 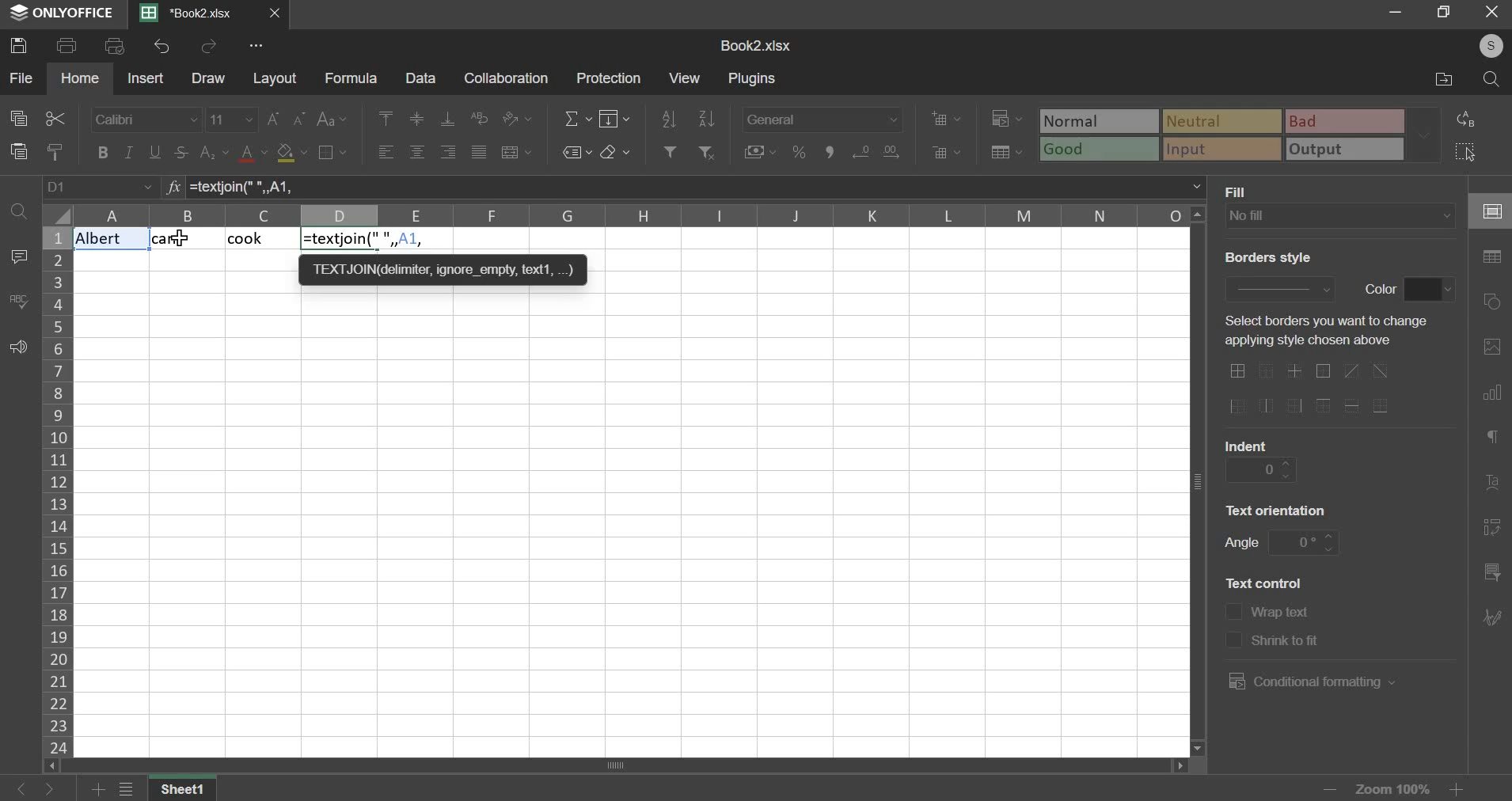 I want to click on fill type, so click(x=1340, y=216).